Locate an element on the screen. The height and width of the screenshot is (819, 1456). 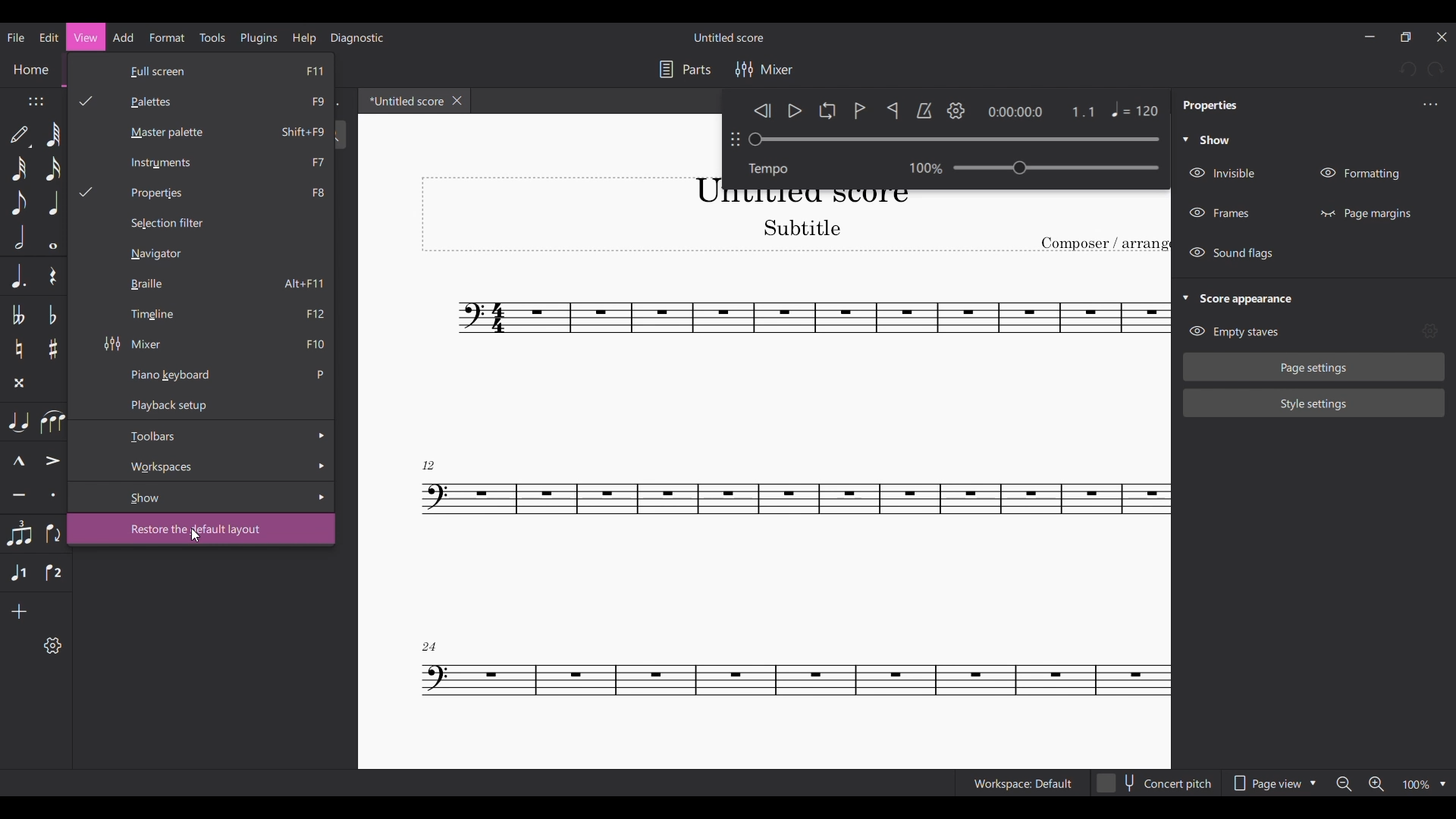
Invisible is located at coordinates (1226, 173).